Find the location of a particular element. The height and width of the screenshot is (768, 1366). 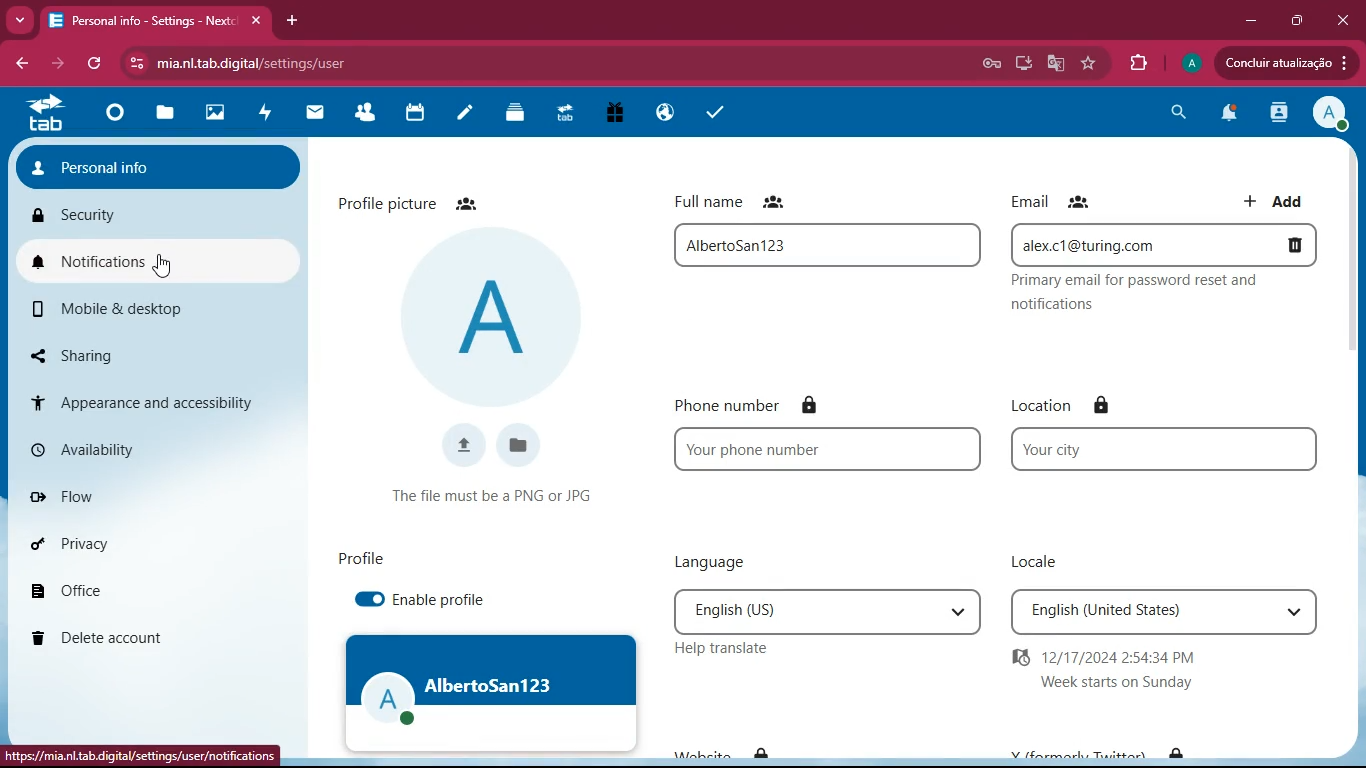

calendar is located at coordinates (410, 113).